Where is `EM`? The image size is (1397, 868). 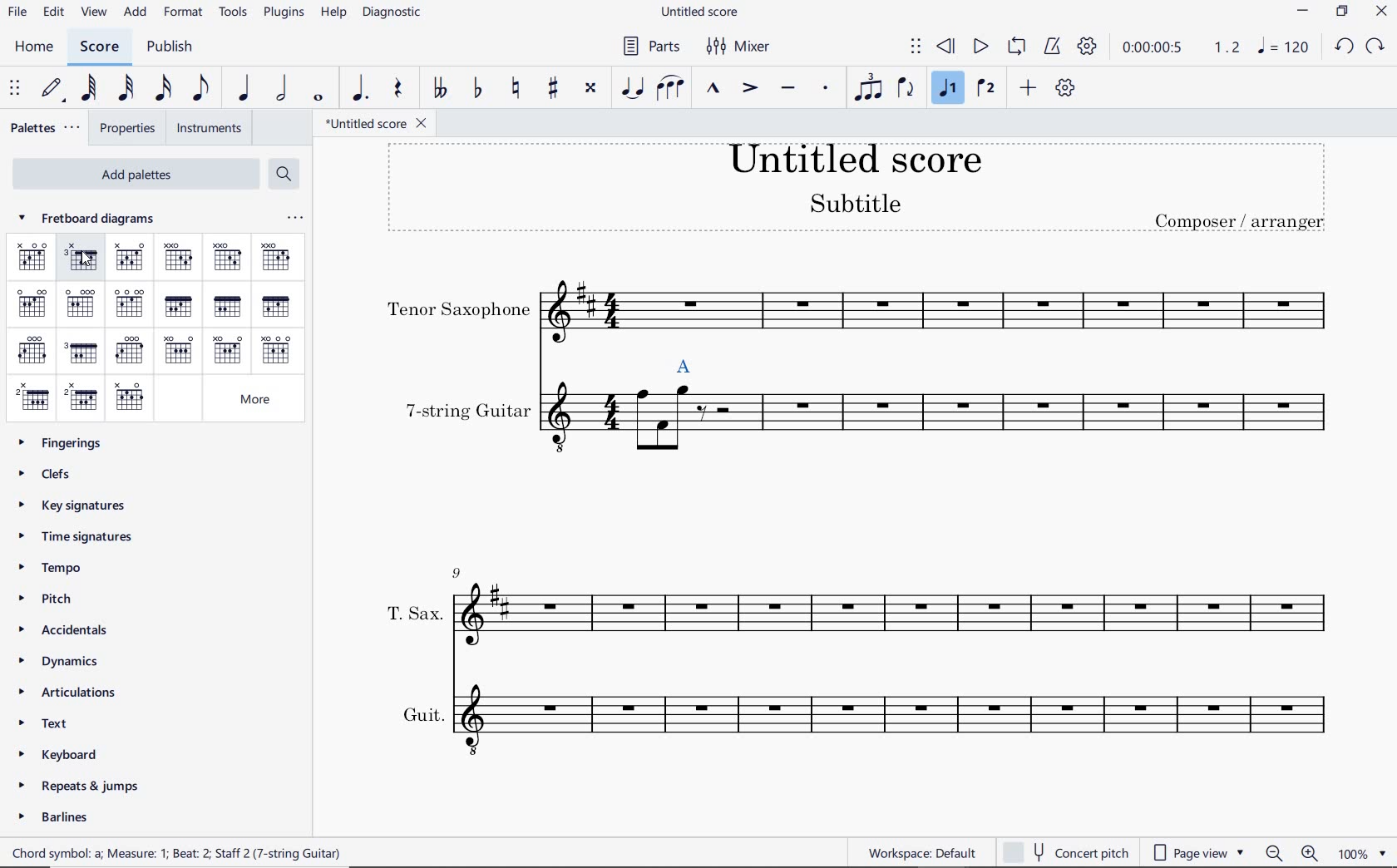
EM is located at coordinates (80, 303).